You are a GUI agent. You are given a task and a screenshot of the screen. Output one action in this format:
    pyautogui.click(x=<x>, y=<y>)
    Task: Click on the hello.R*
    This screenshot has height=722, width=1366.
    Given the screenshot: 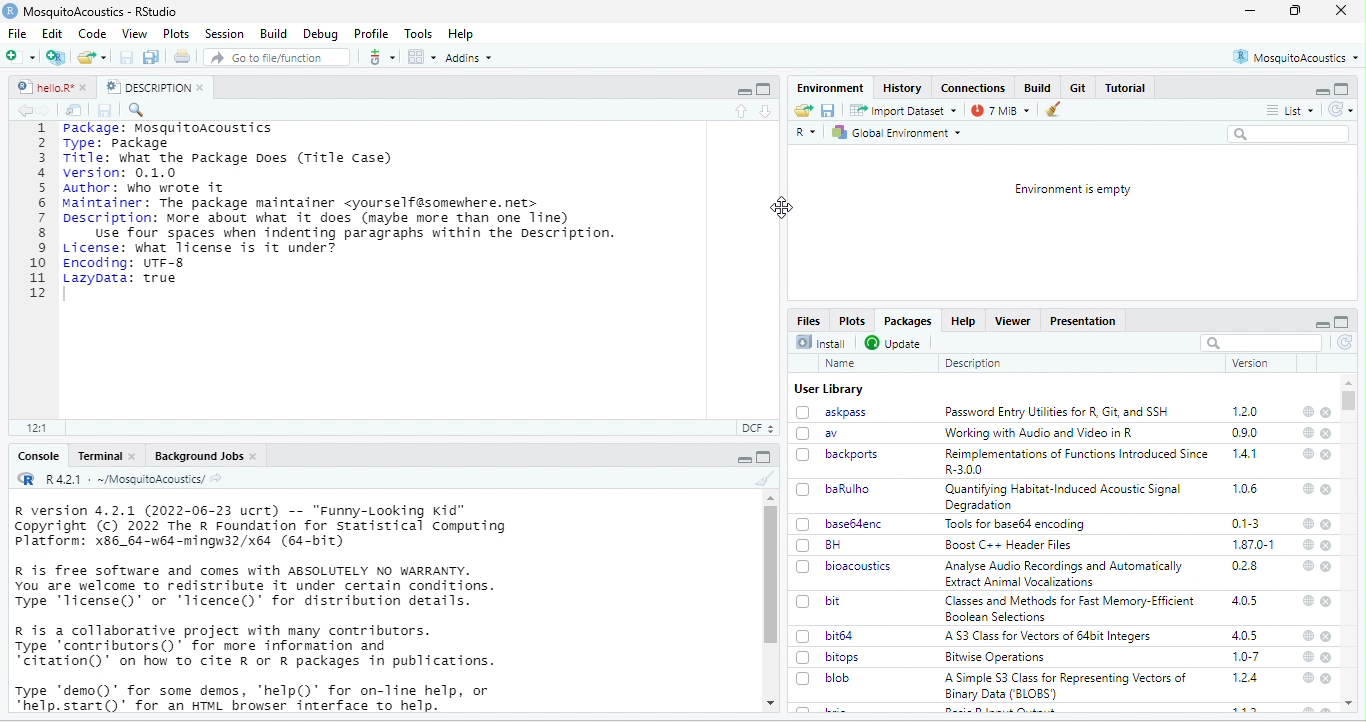 What is the action you would take?
    pyautogui.click(x=51, y=87)
    